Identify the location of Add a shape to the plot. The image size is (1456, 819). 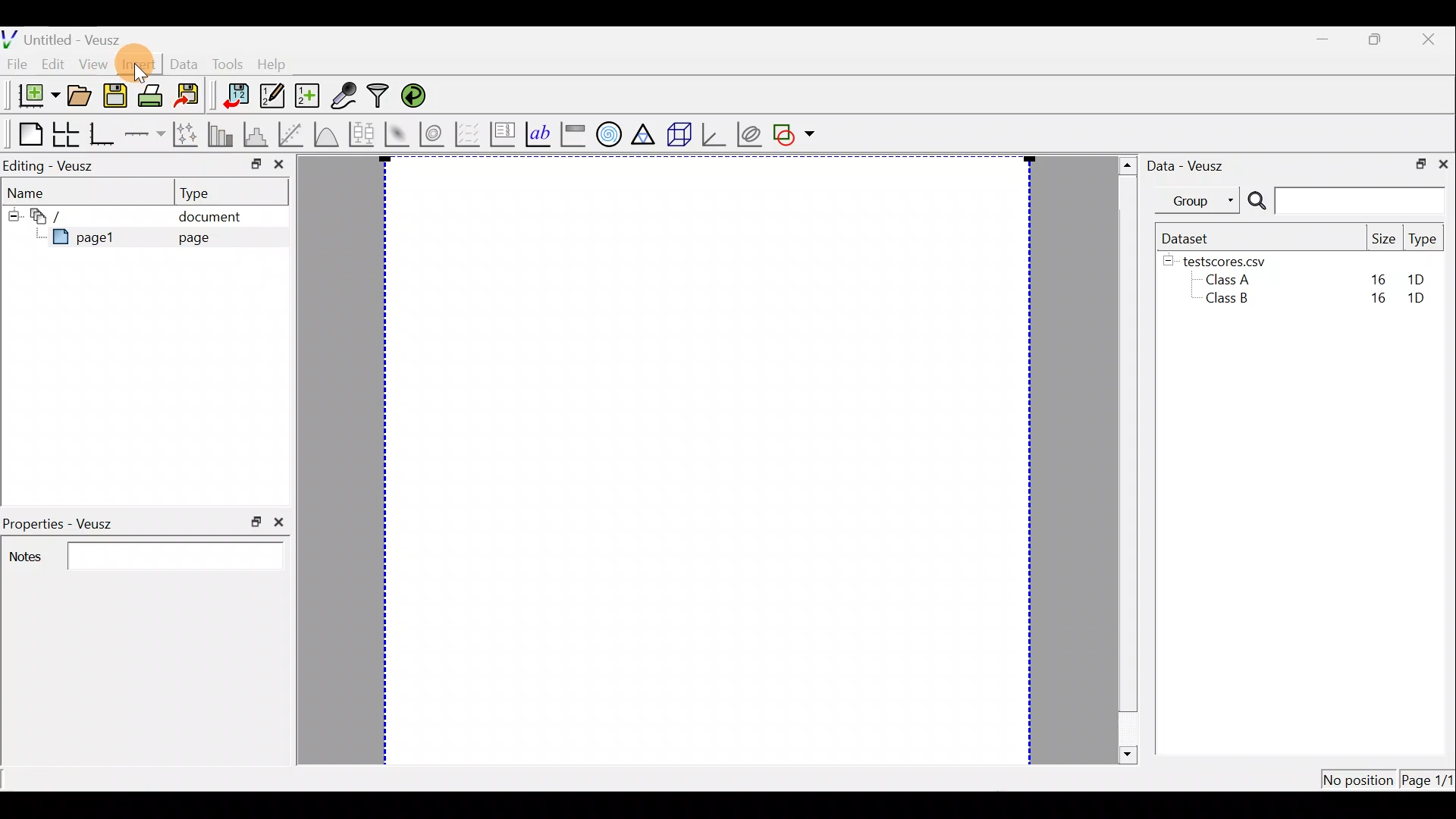
(797, 134).